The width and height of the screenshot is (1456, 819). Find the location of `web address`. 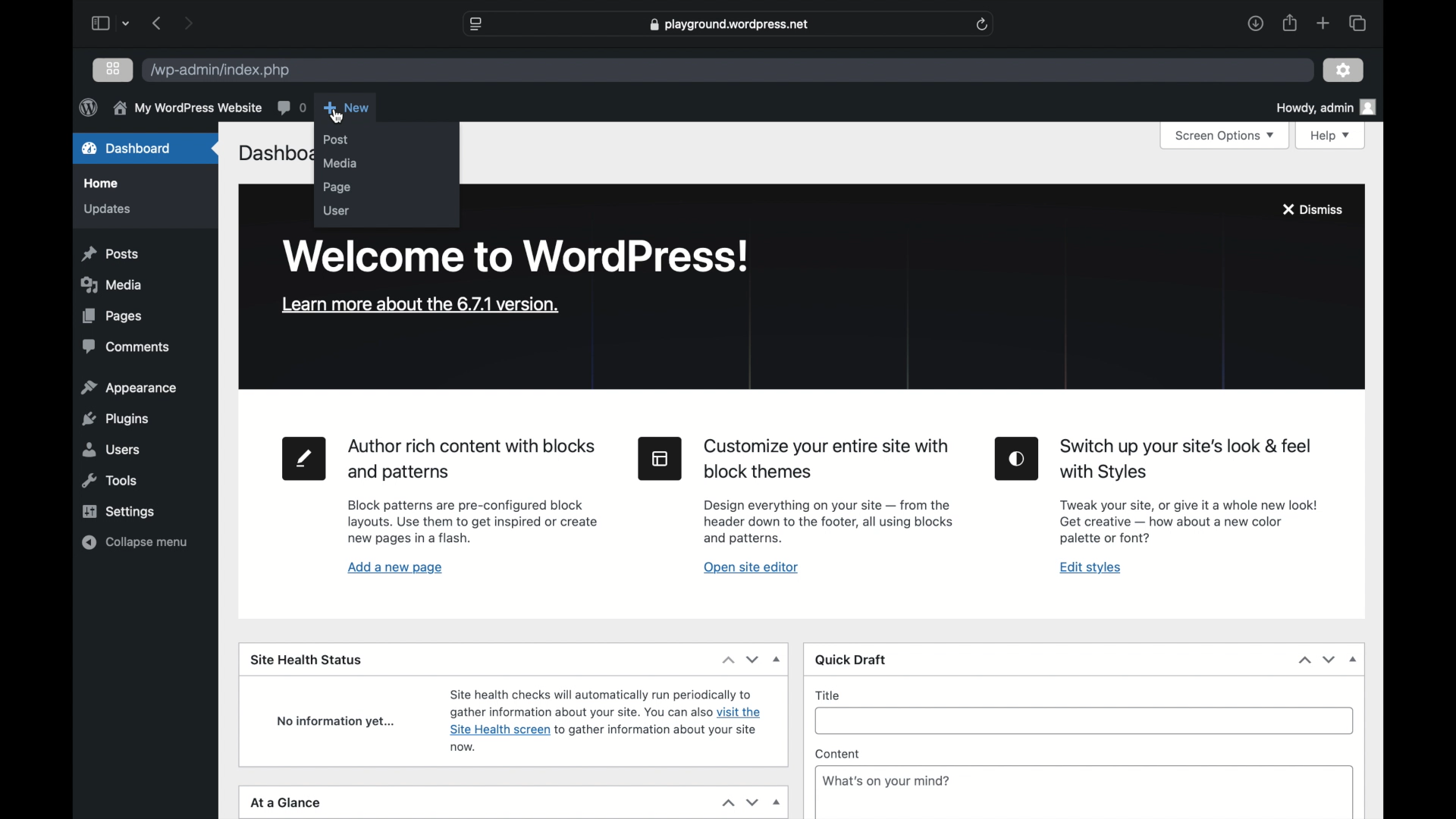

web address is located at coordinates (730, 24).